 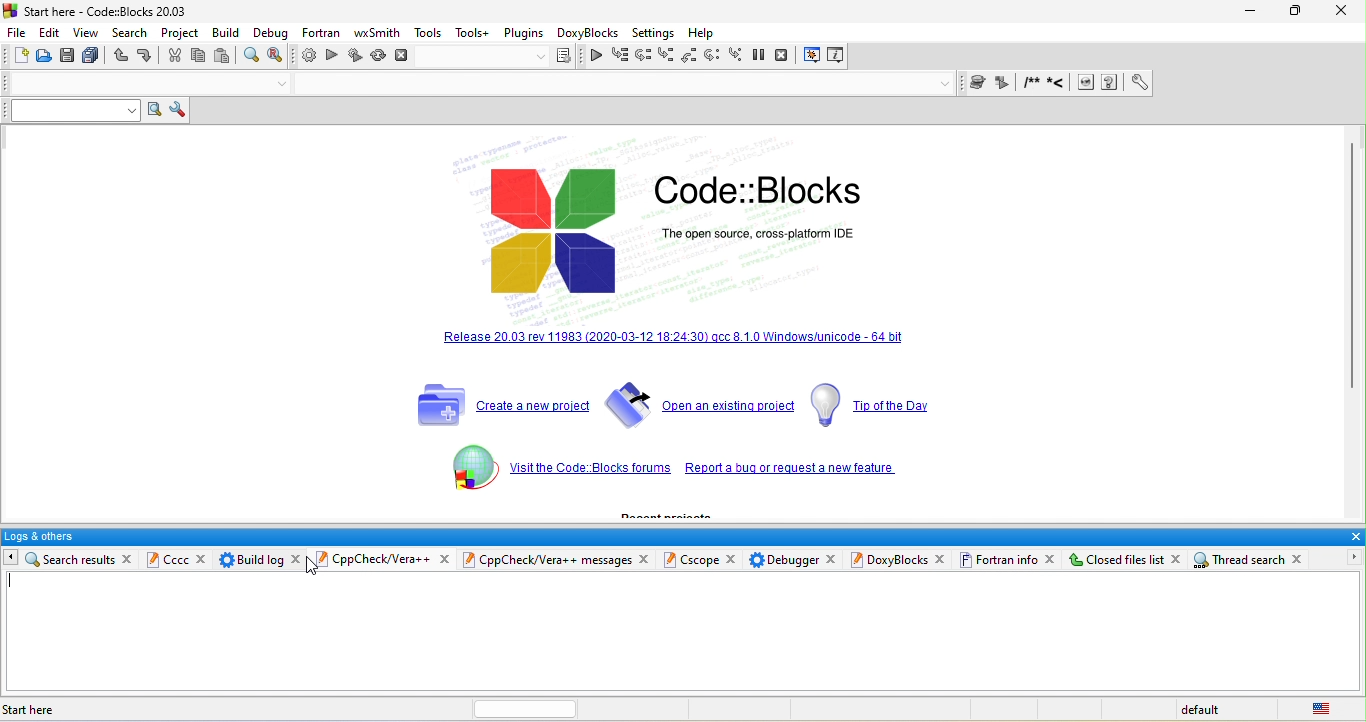 What do you see at coordinates (283, 86) in the screenshot?
I see `drop down` at bounding box center [283, 86].